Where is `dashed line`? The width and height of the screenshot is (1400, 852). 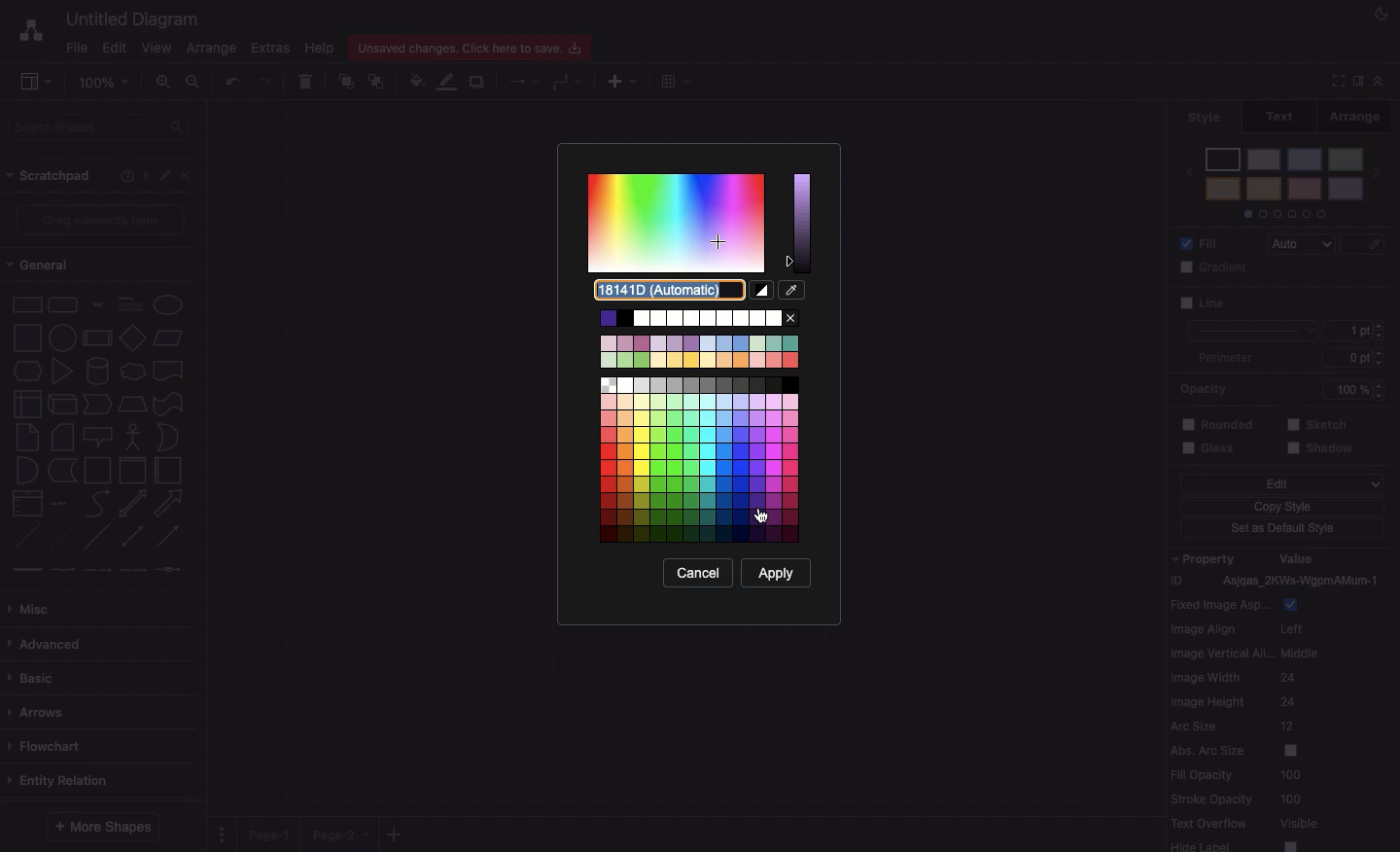
dashed line is located at coordinates (21, 539).